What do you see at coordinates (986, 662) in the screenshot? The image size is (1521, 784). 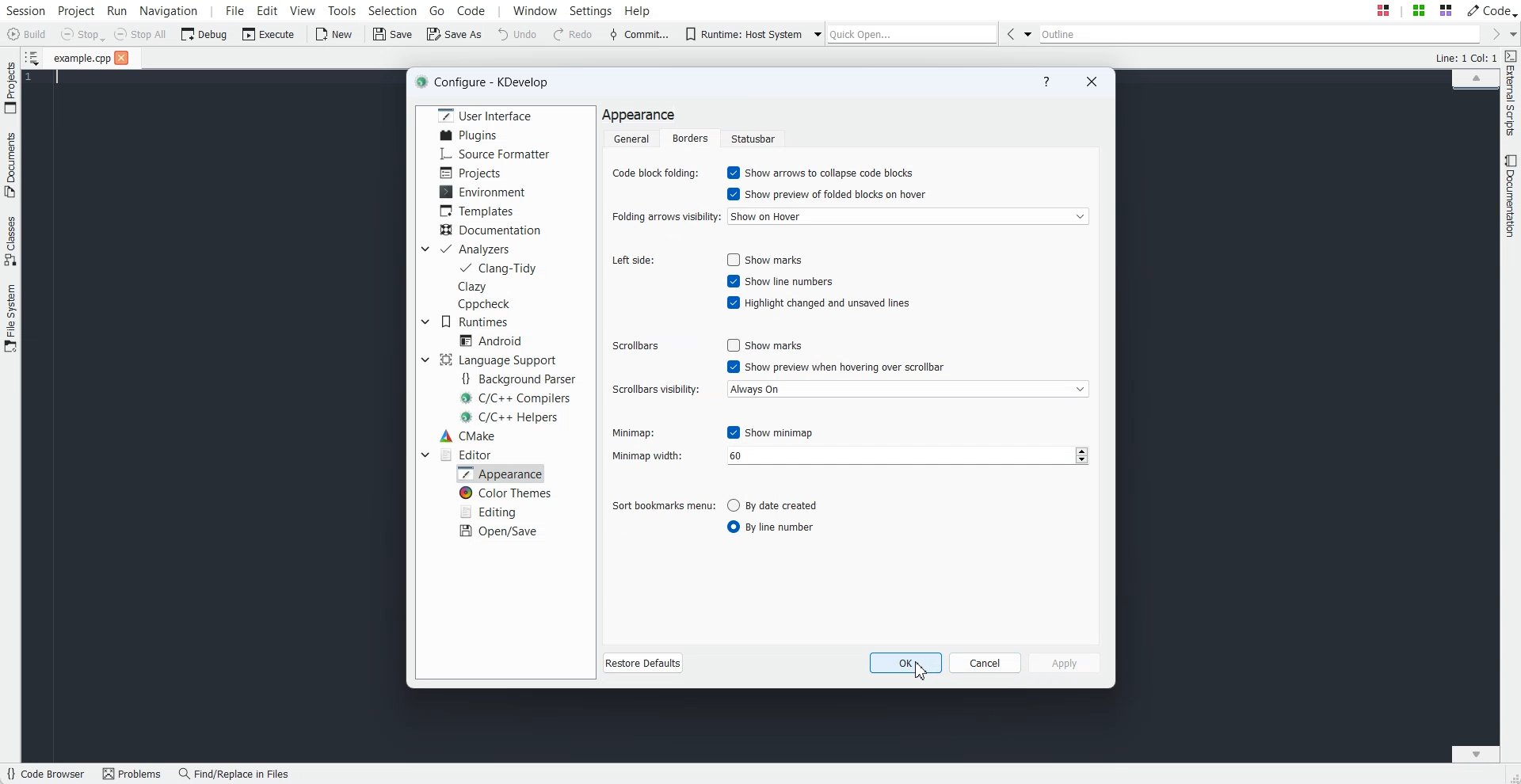 I see `Cancel` at bounding box center [986, 662].